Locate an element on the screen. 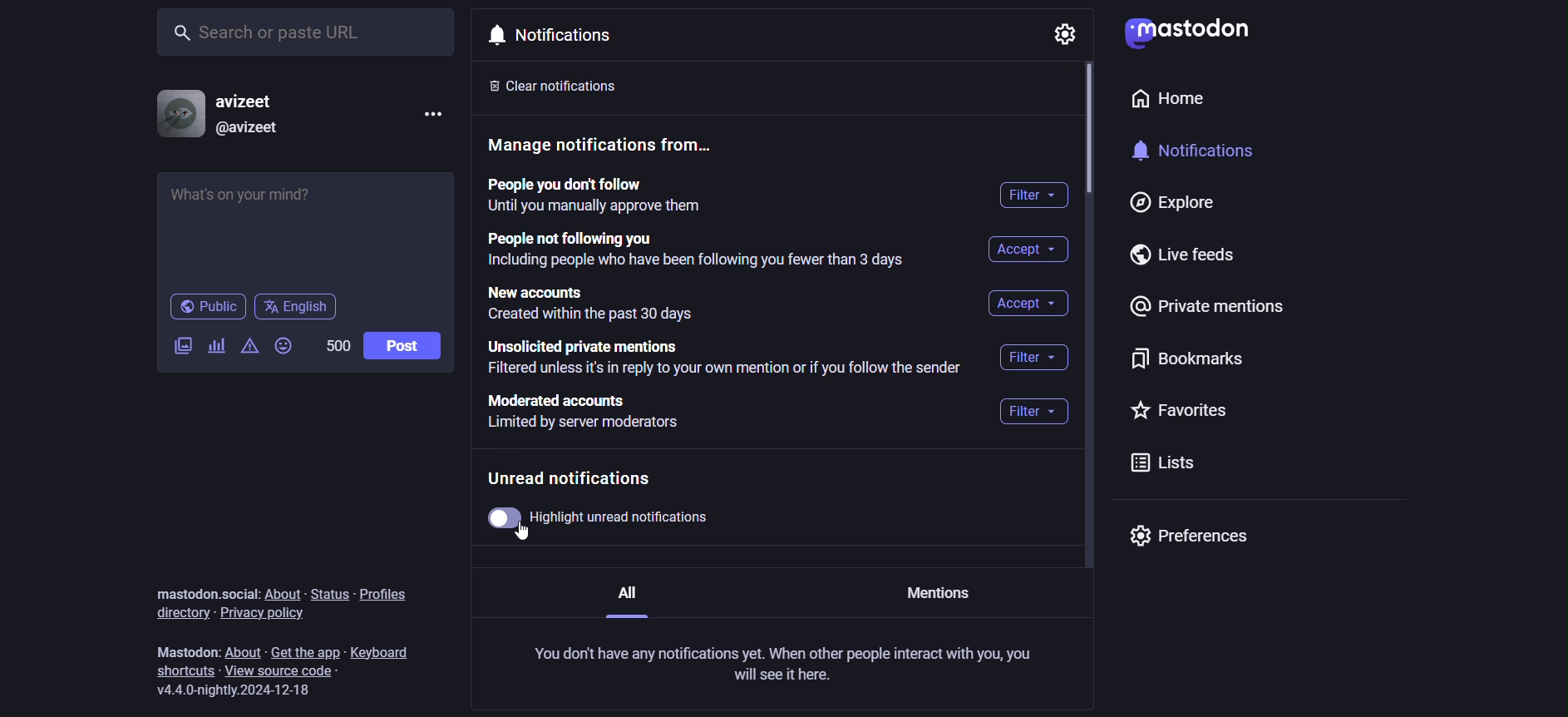 The width and height of the screenshot is (1568, 717). add poll is located at coordinates (217, 347).